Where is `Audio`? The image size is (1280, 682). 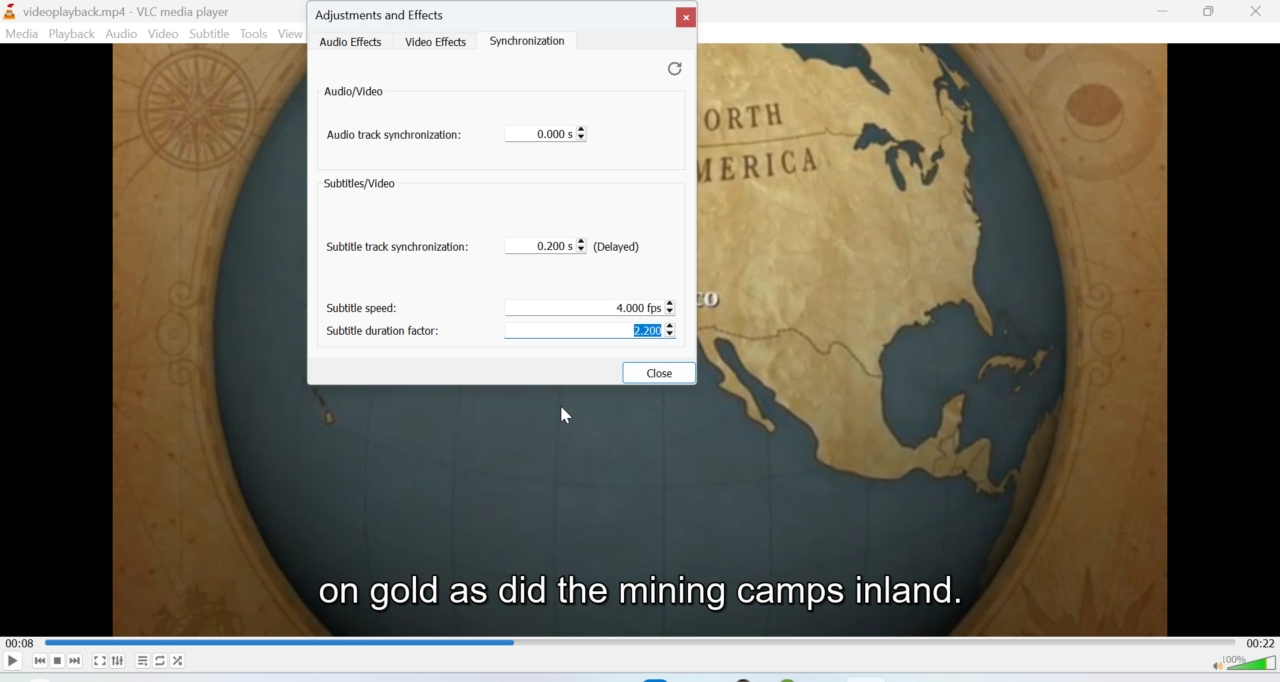 Audio is located at coordinates (123, 35).